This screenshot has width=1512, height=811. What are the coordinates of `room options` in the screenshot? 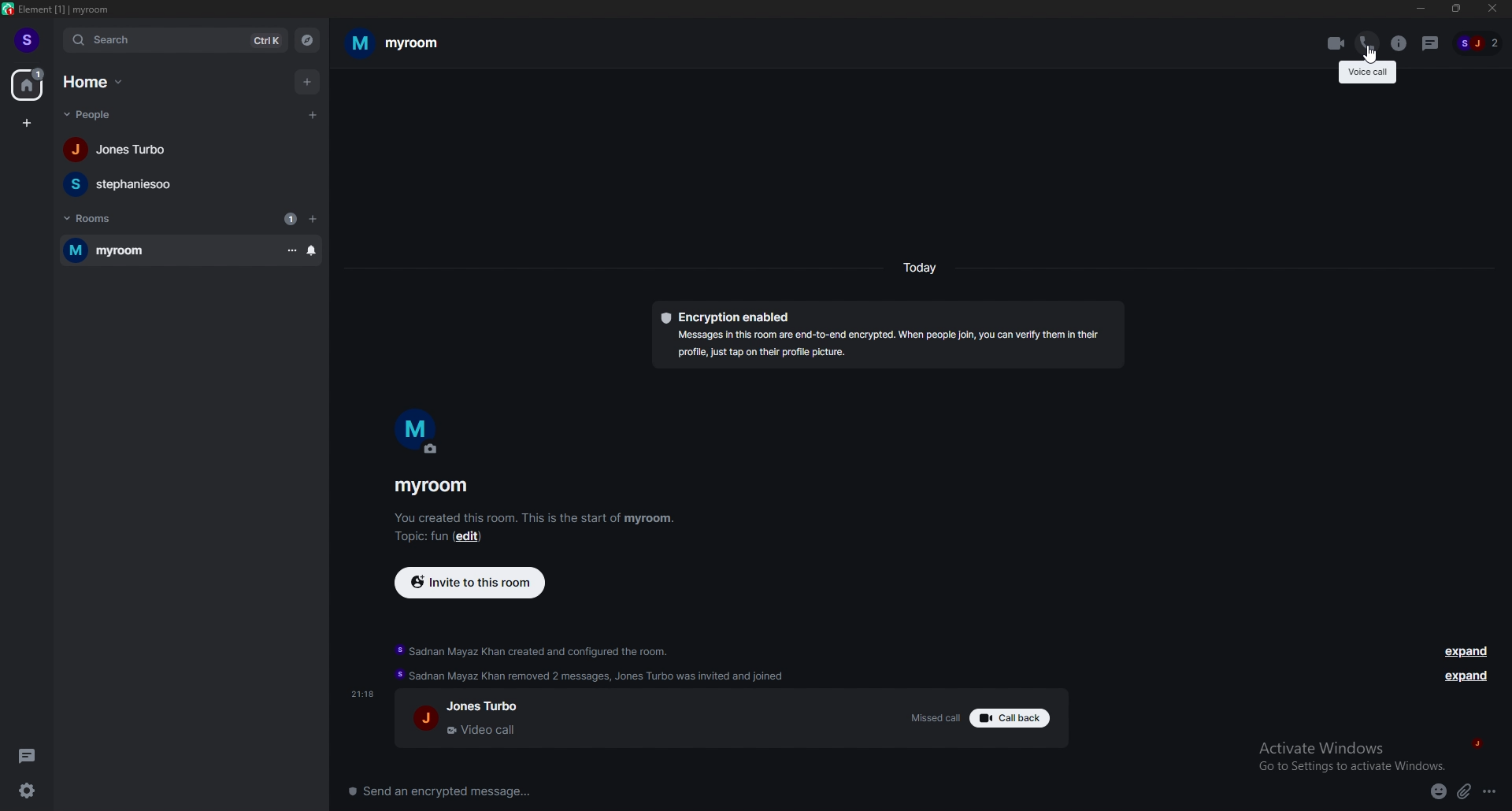 It's located at (291, 249).